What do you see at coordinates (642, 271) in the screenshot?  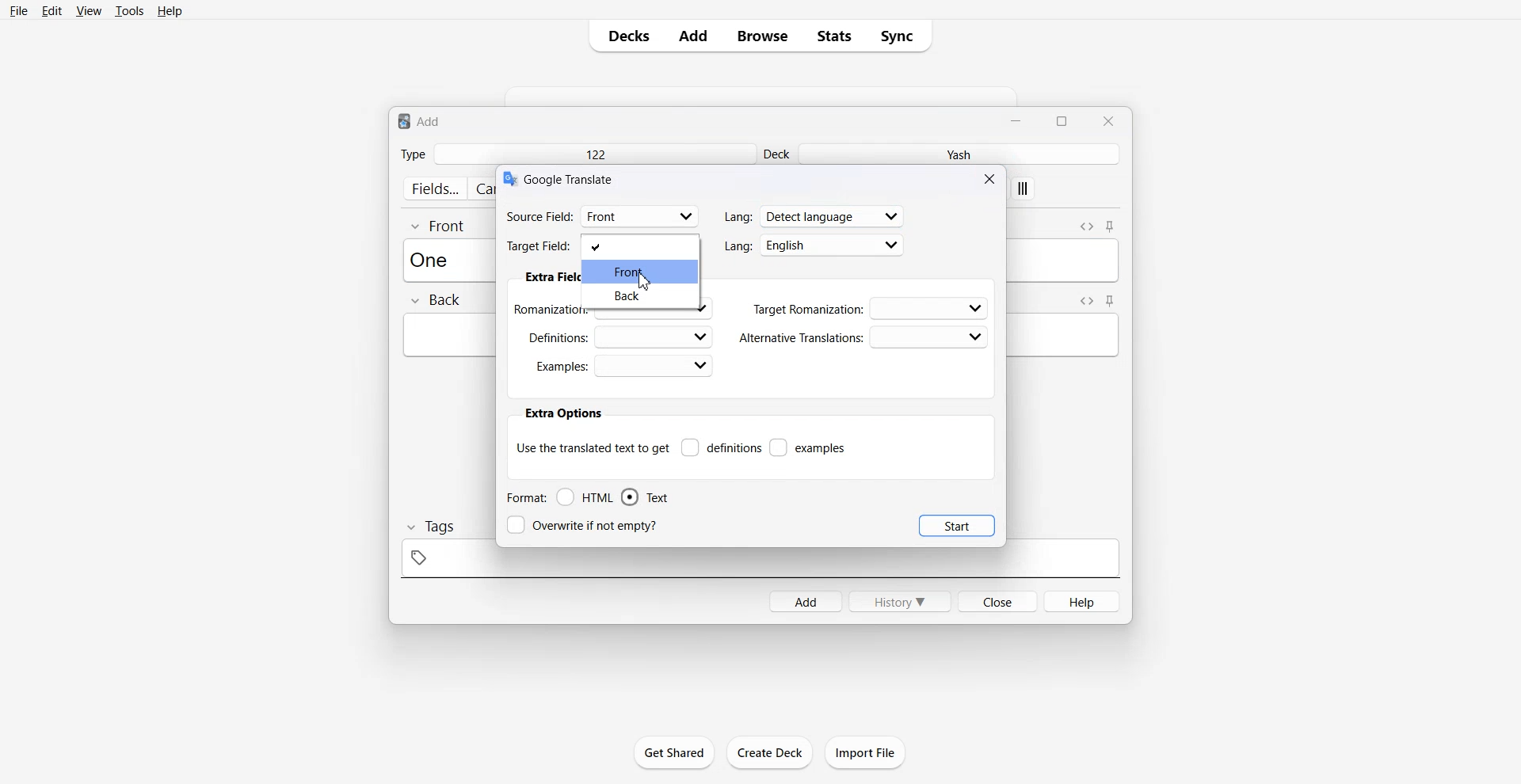 I see `Front` at bounding box center [642, 271].